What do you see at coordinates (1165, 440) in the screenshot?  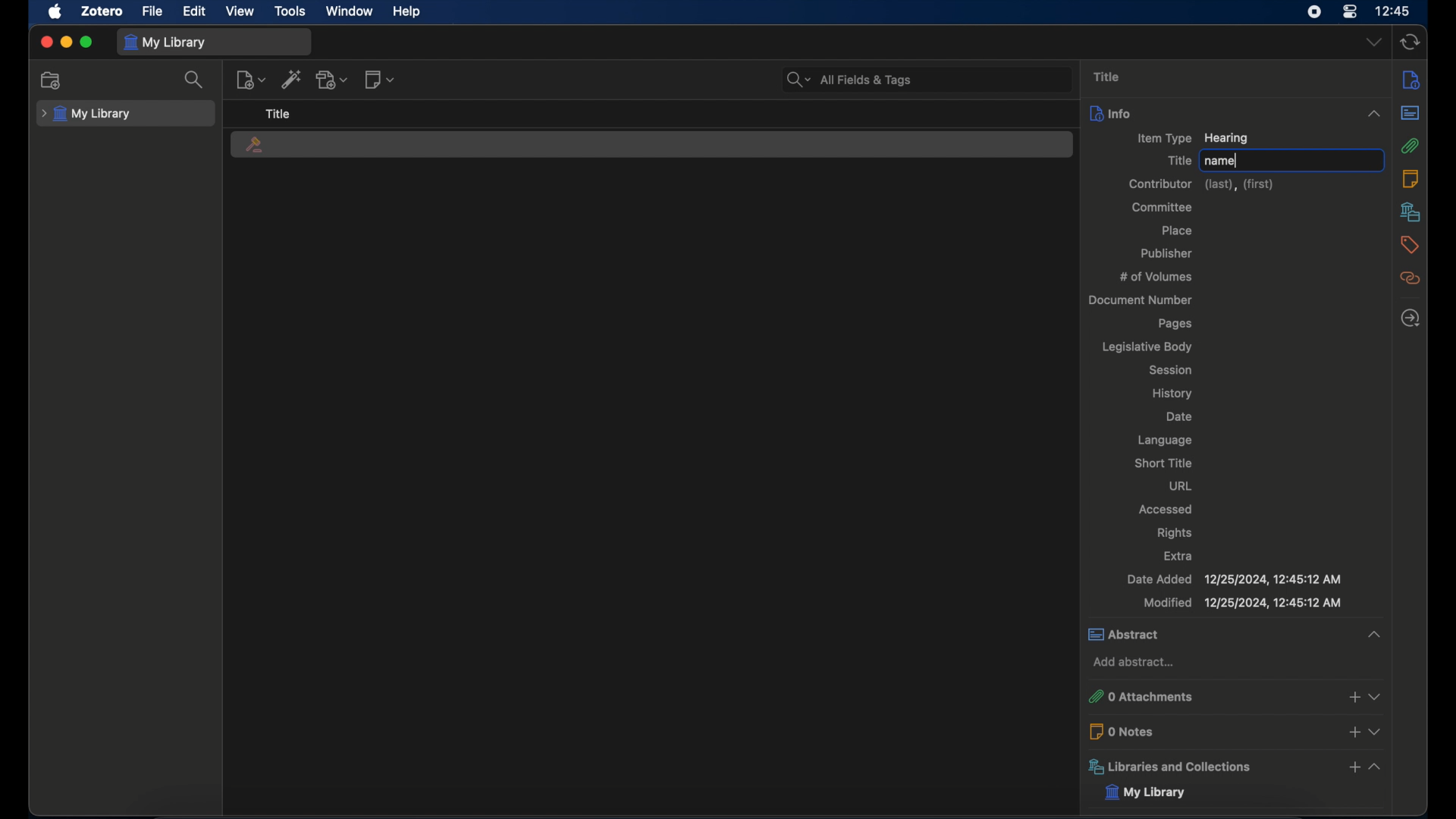 I see `language` at bounding box center [1165, 440].